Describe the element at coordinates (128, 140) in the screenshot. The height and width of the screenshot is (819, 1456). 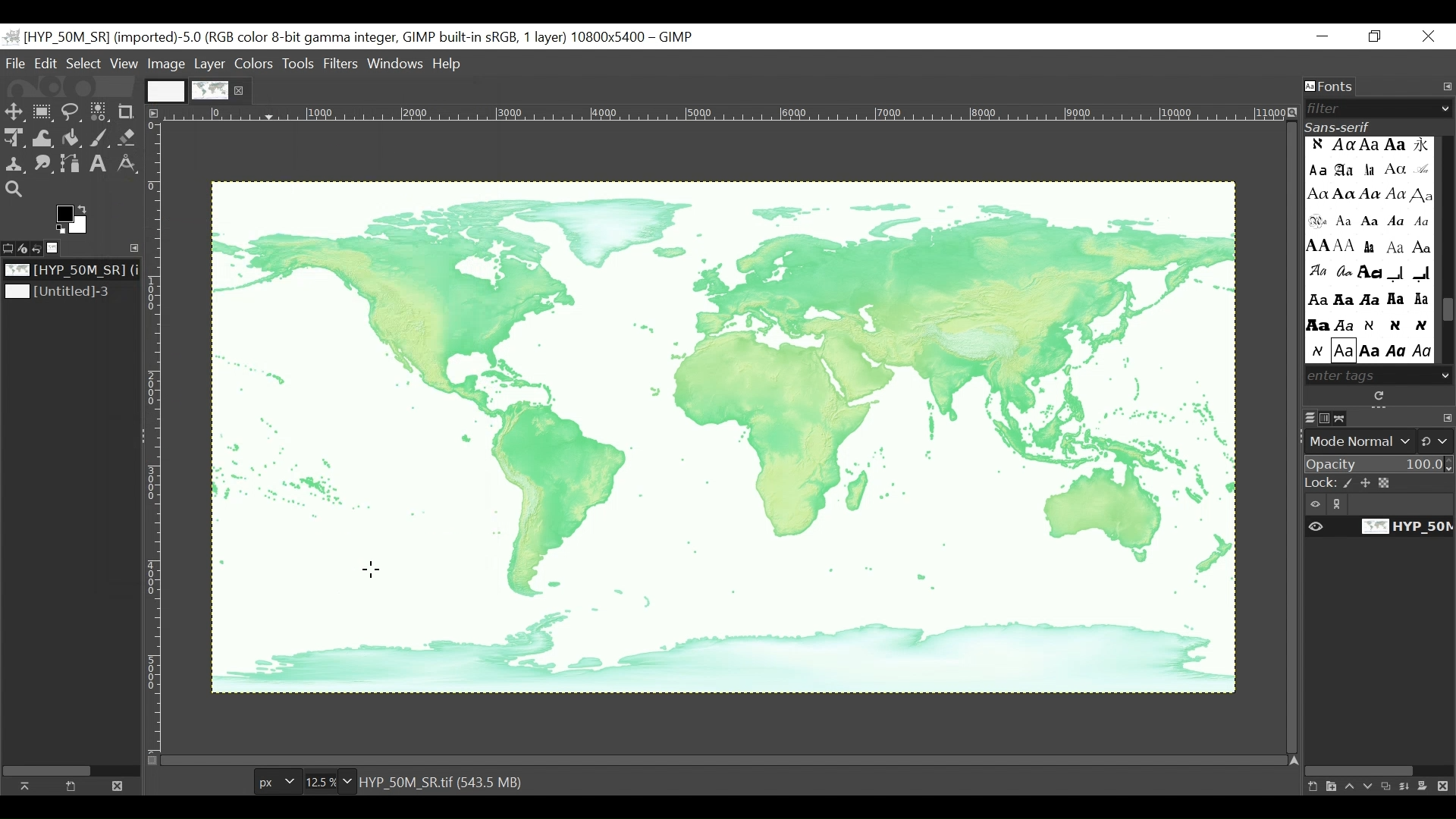
I see `Eraser Tool` at that location.